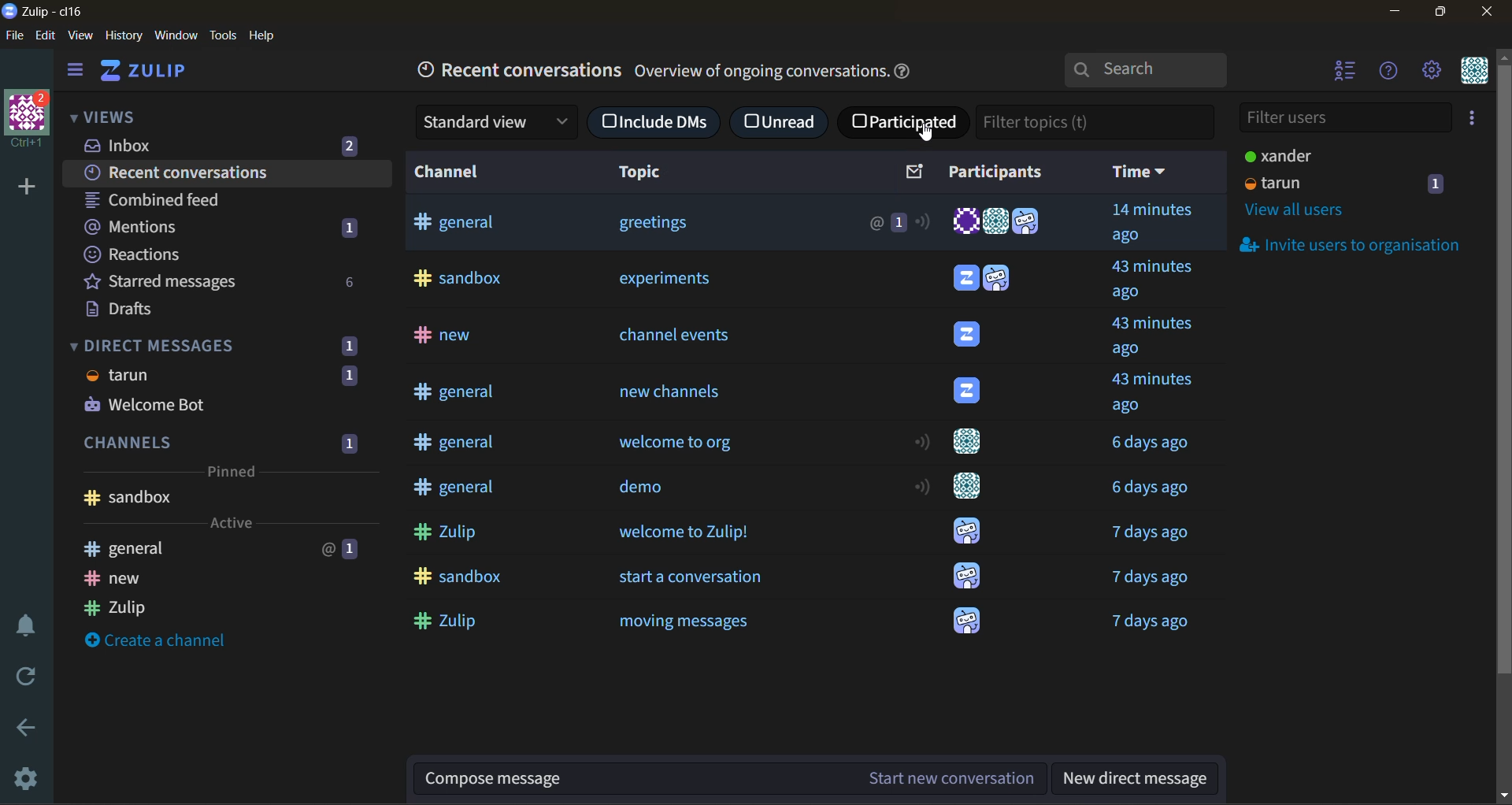 Image resolution: width=1512 pixels, height=805 pixels. I want to click on sandbox, so click(467, 575).